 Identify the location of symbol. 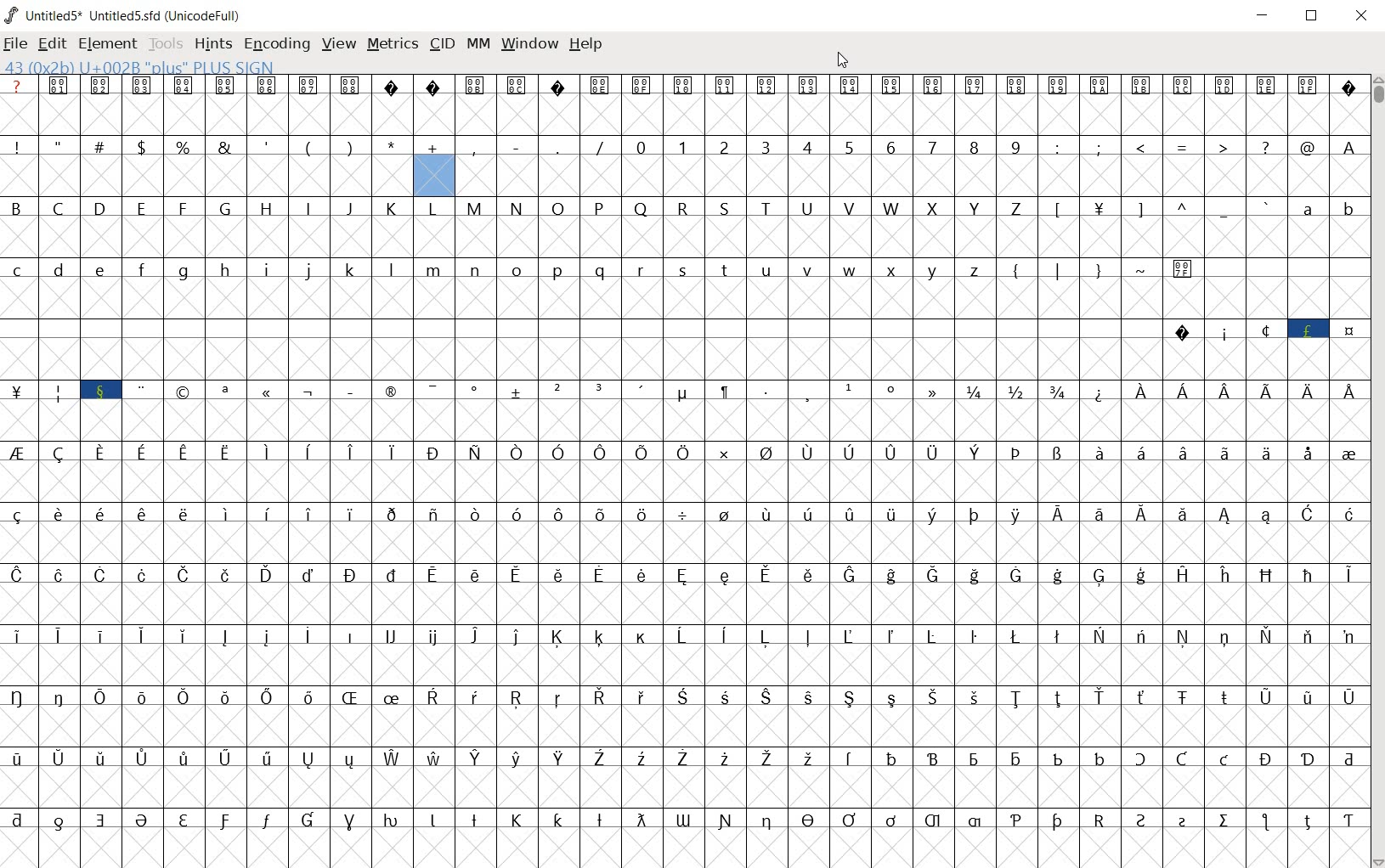
(1101, 410).